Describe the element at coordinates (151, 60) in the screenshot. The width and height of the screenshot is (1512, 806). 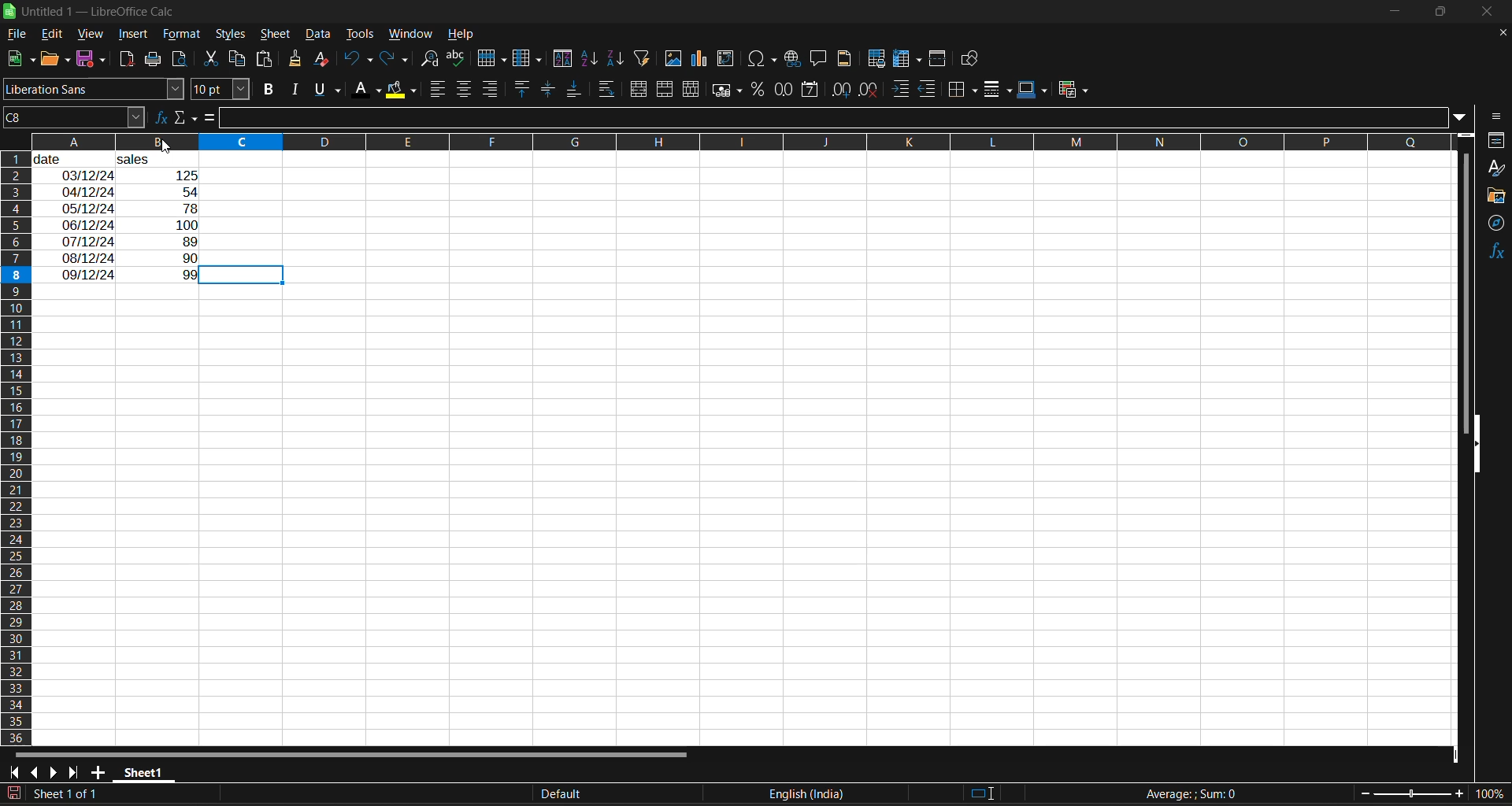
I see `print` at that location.